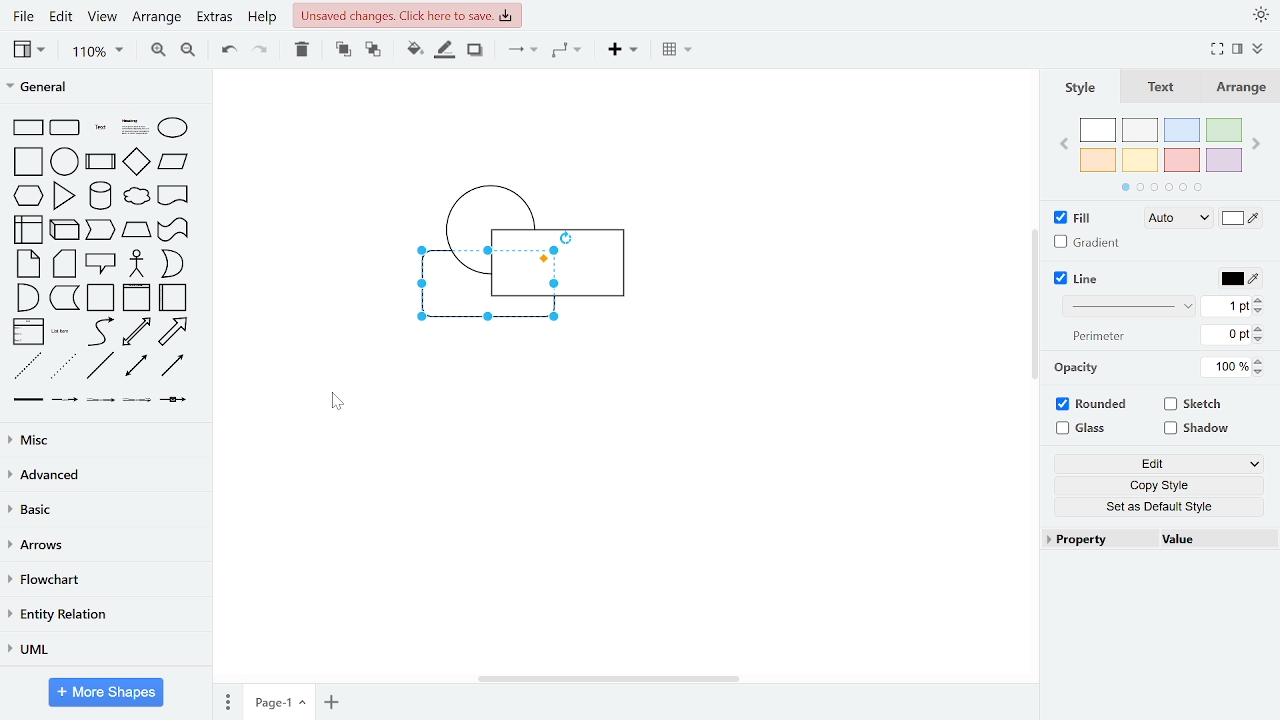 This screenshot has height=720, width=1280. Describe the element at coordinates (159, 19) in the screenshot. I see `arrange` at that location.